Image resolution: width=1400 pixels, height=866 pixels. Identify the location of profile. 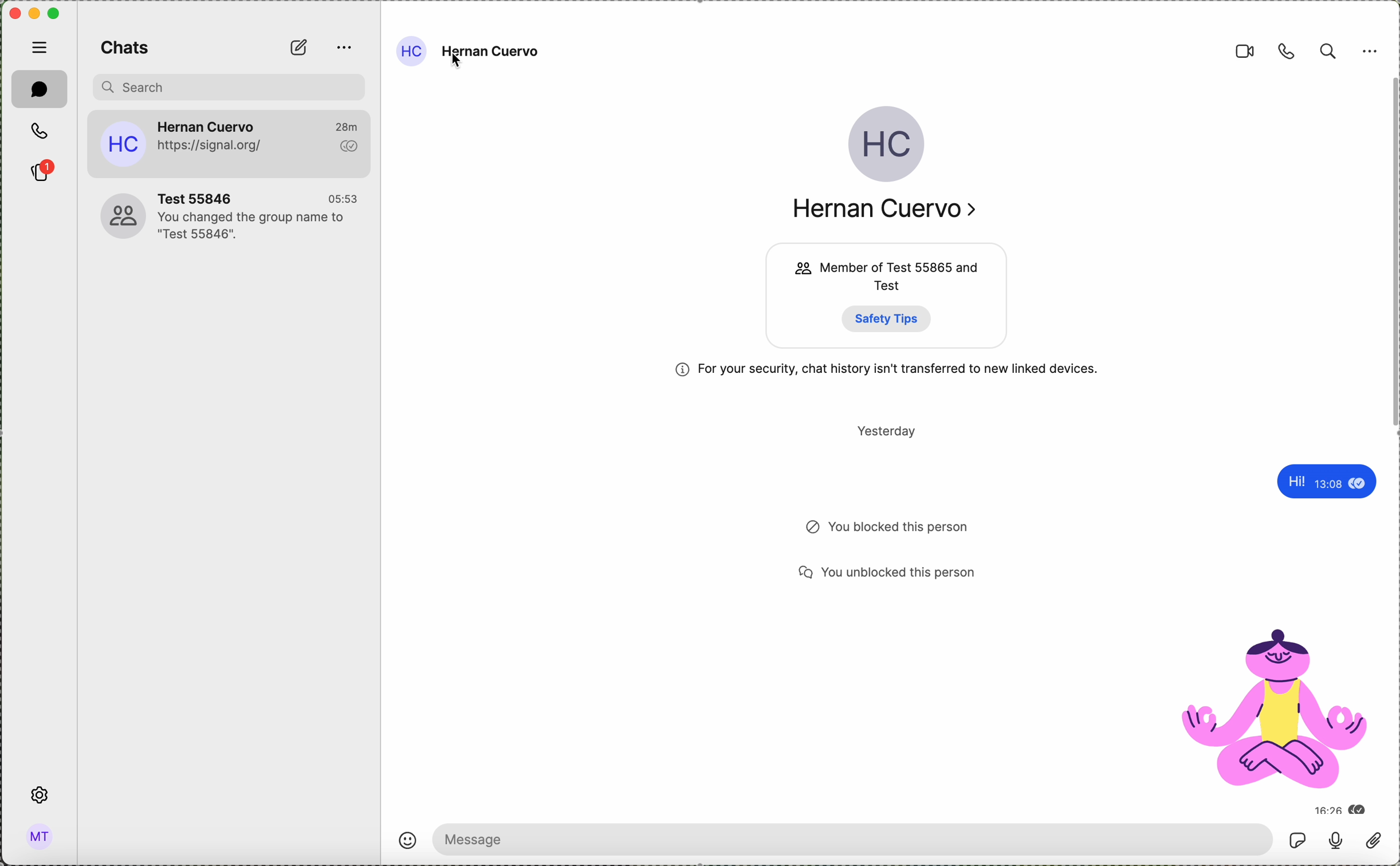
(40, 836).